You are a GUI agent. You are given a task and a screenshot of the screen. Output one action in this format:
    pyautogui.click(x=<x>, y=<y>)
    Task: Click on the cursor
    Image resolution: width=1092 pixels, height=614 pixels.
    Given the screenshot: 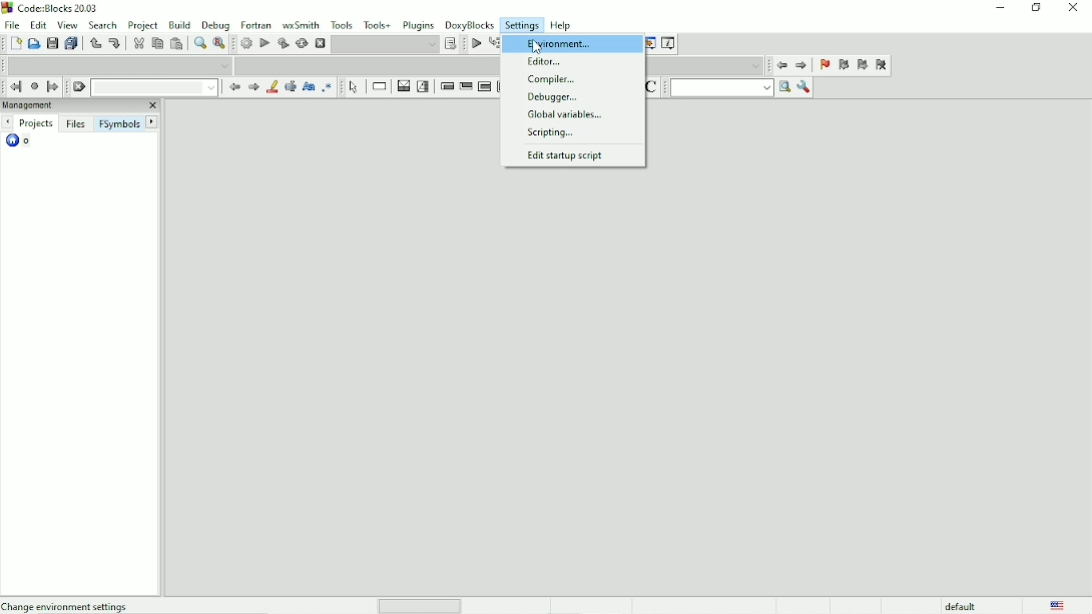 What is the action you would take?
    pyautogui.click(x=537, y=46)
    